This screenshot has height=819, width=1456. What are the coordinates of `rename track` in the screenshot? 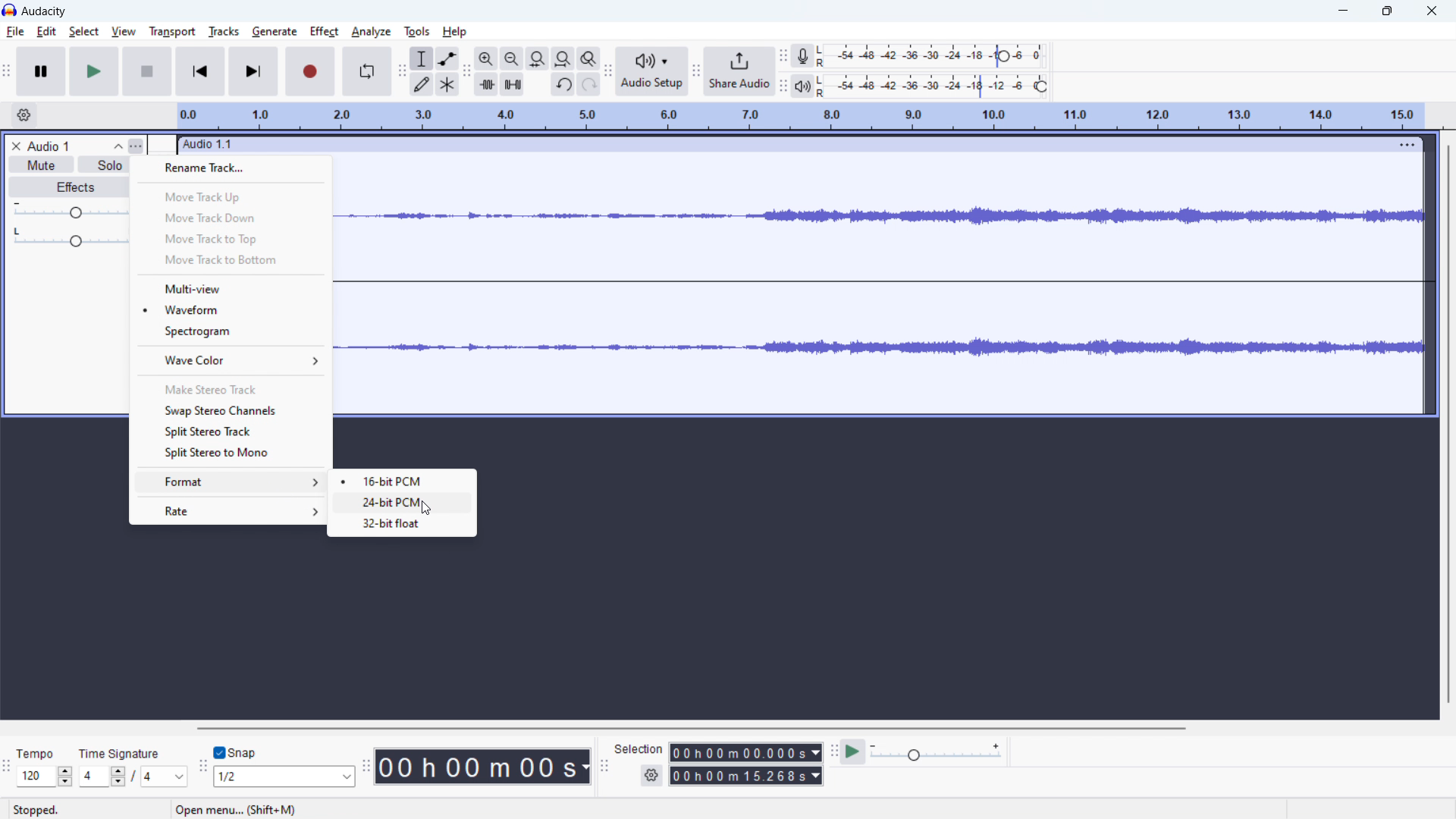 It's located at (231, 168).